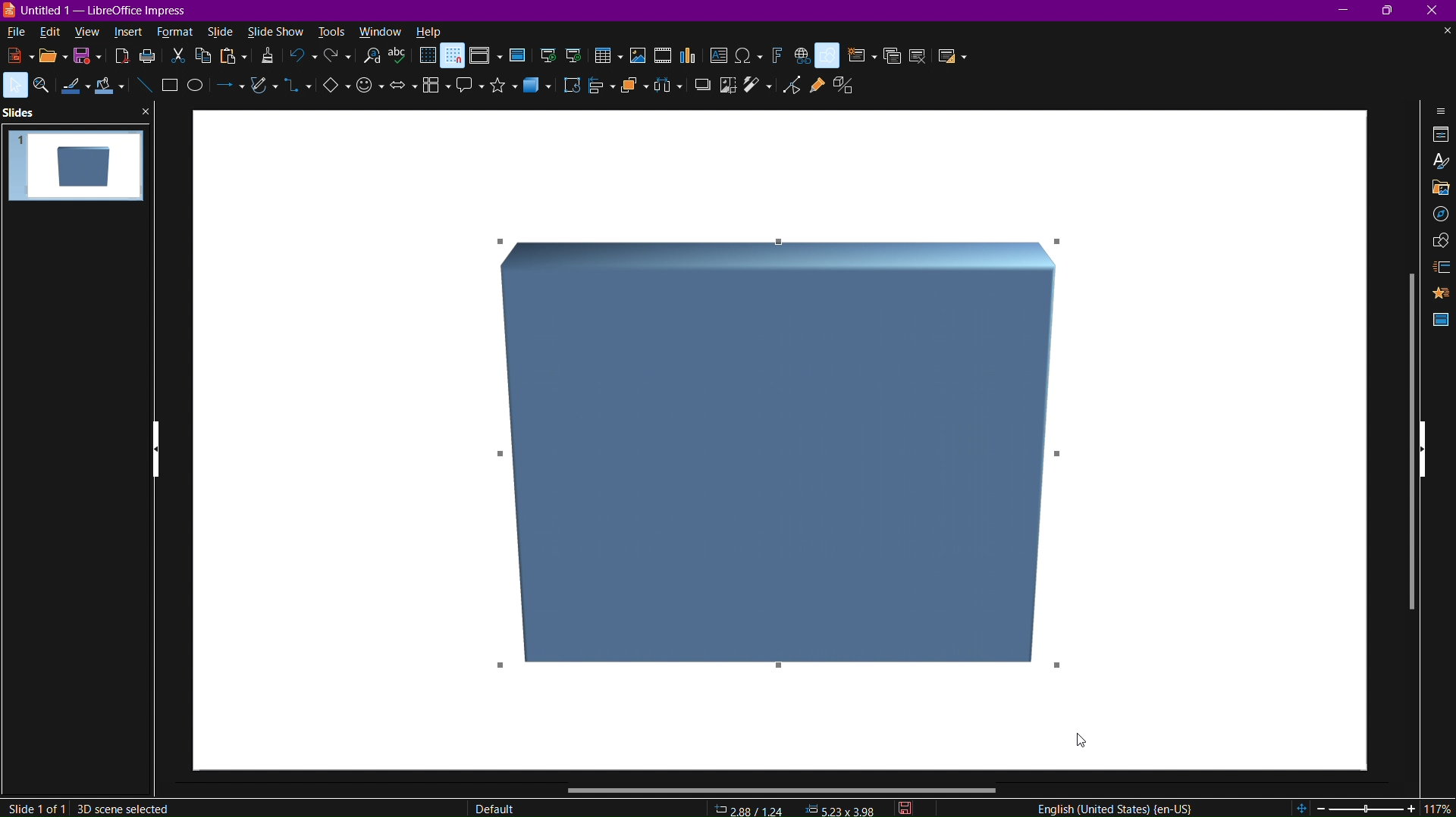 The height and width of the screenshot is (817, 1456). Describe the element at coordinates (427, 58) in the screenshot. I see `Display Grid` at that location.